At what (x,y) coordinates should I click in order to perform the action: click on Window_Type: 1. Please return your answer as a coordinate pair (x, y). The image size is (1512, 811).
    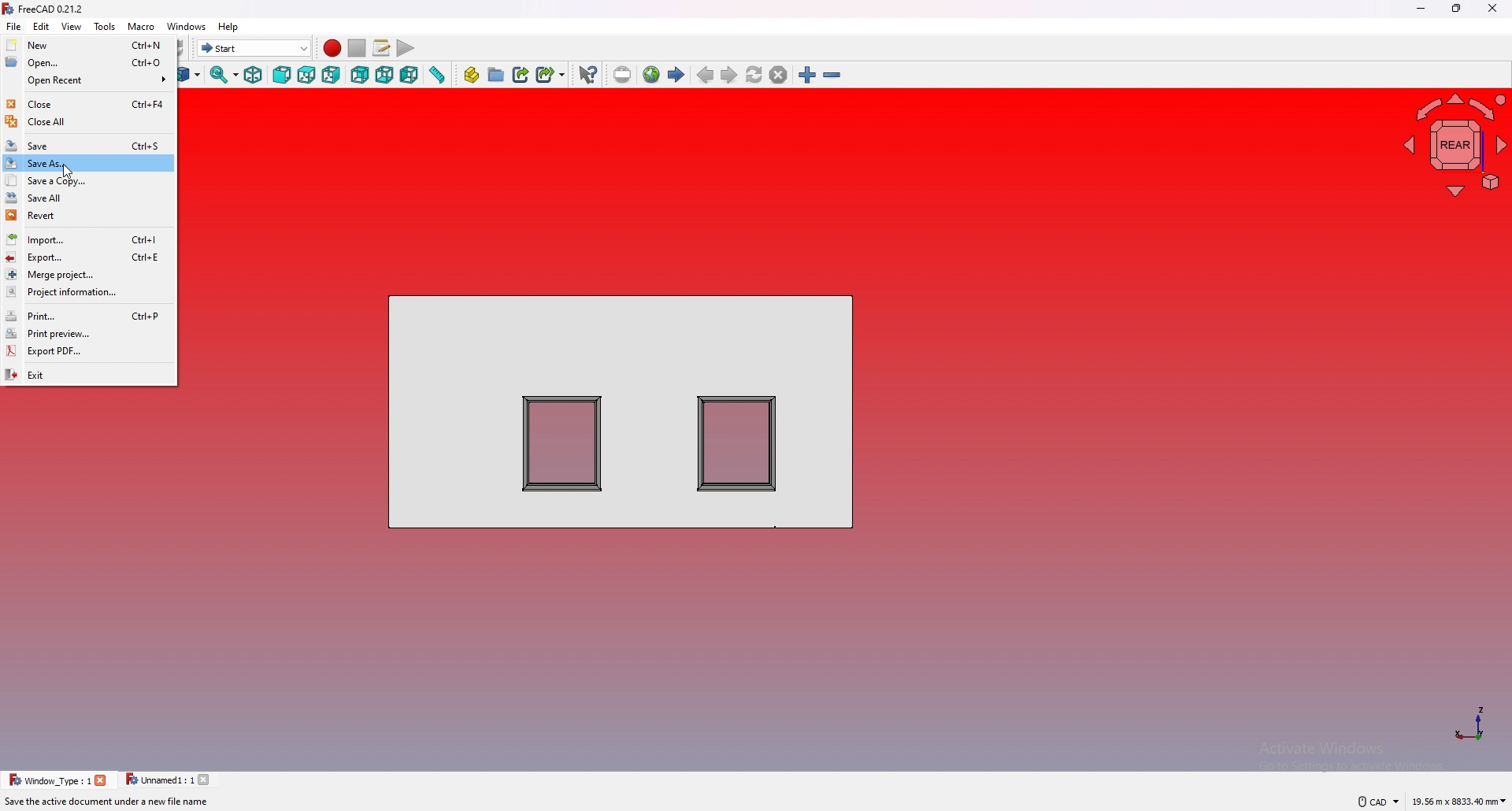
    Looking at the image, I should click on (50, 780).